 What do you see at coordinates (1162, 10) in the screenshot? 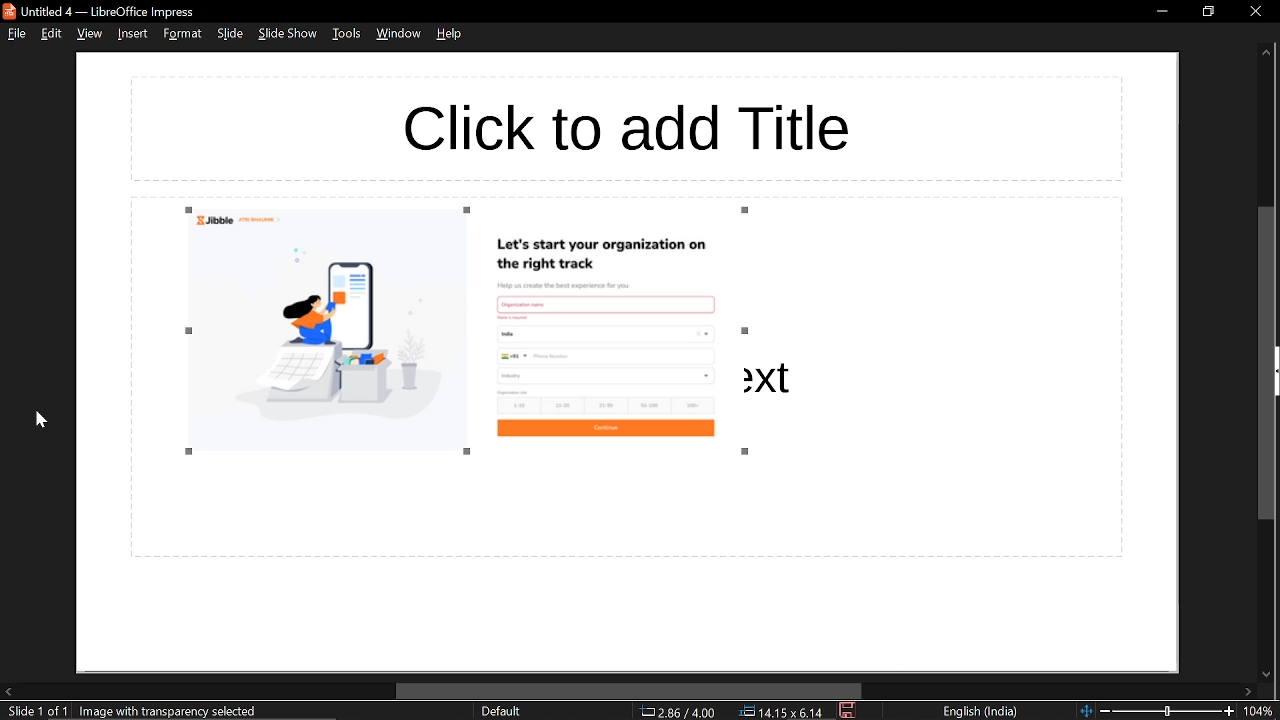
I see `minimize` at bounding box center [1162, 10].